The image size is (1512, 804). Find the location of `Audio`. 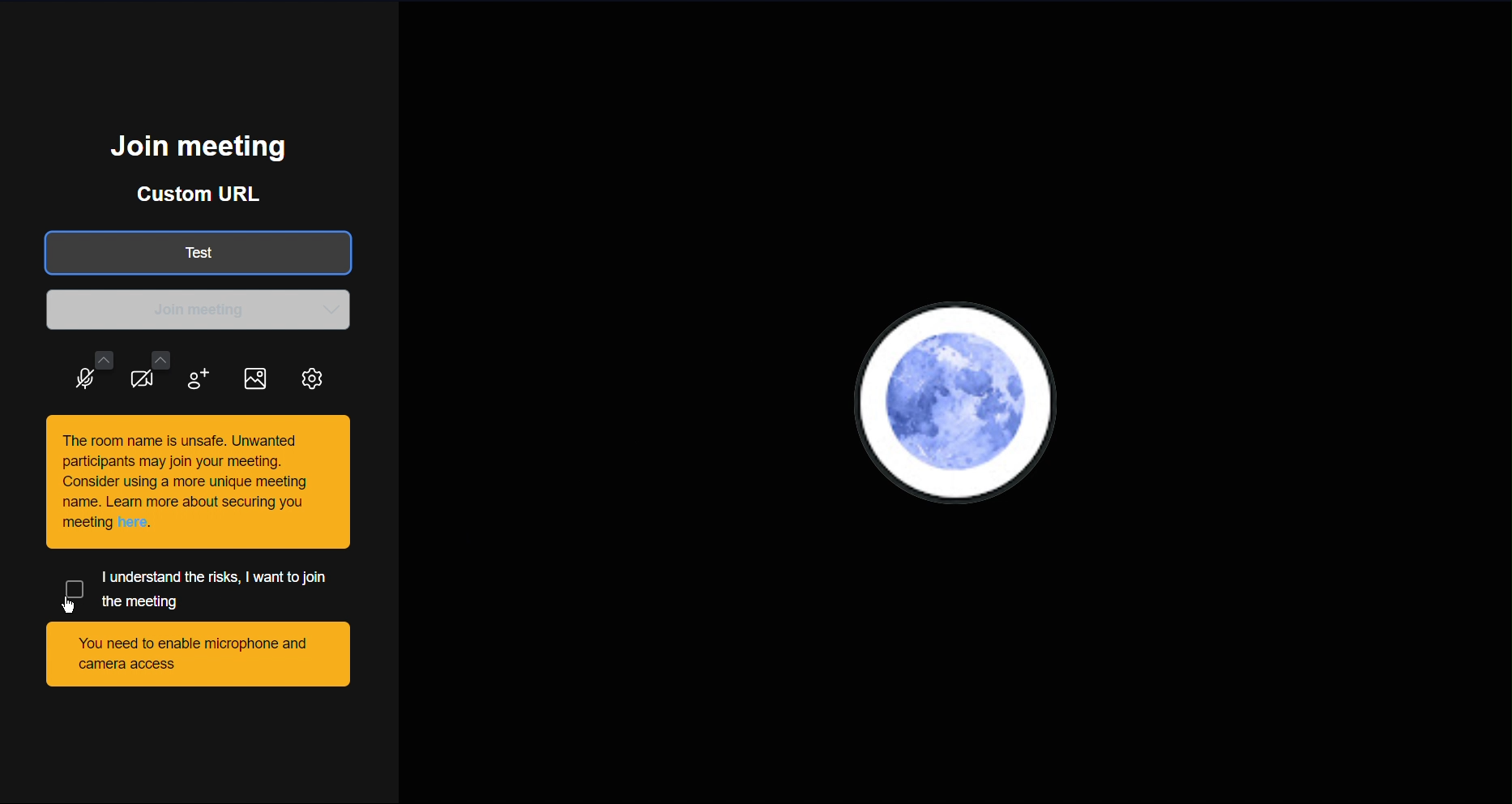

Audio is located at coordinates (87, 371).